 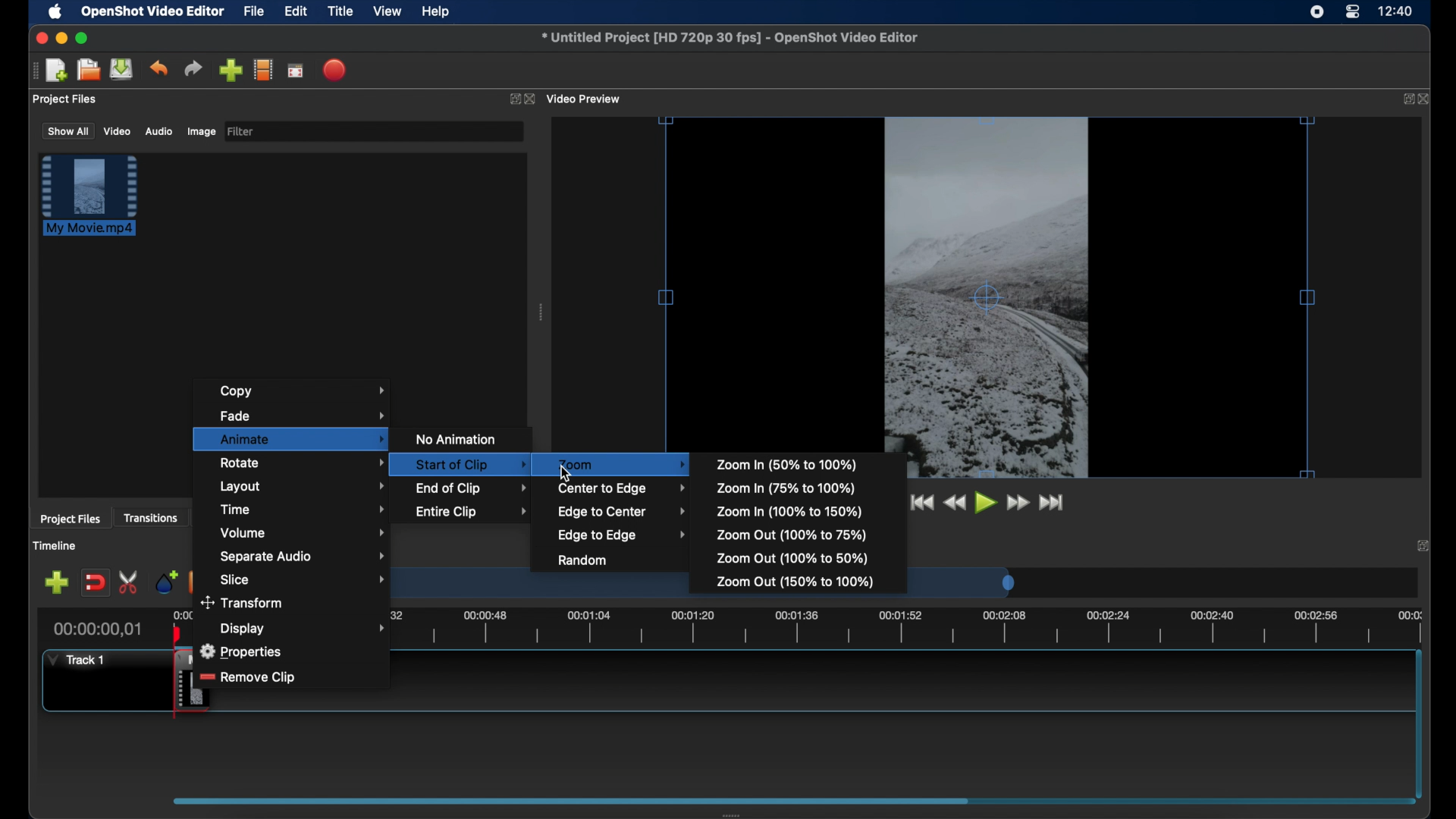 I want to click on current time indicator, so click(x=99, y=629).